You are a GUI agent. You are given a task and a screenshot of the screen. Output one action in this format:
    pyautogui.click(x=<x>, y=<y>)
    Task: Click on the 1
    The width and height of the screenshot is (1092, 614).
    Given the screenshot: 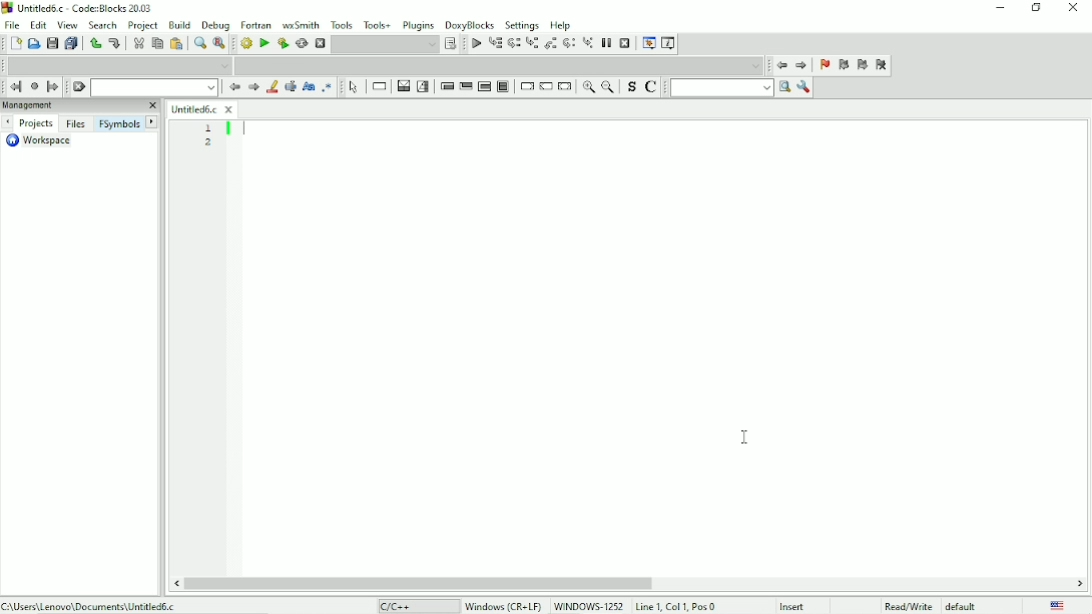 What is the action you would take?
    pyautogui.click(x=209, y=127)
    